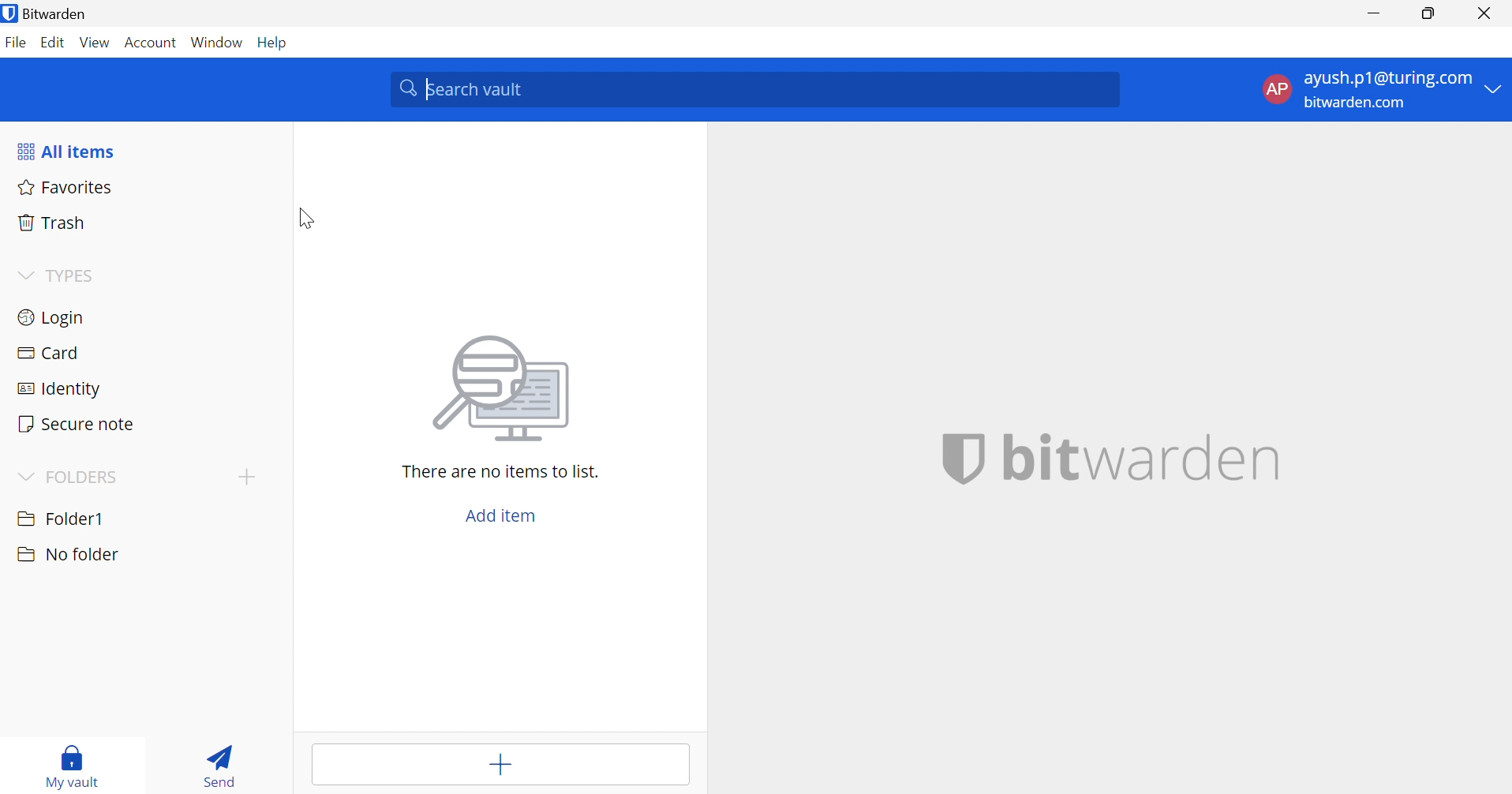 The width and height of the screenshot is (1512, 794). What do you see at coordinates (55, 223) in the screenshot?
I see `Trash` at bounding box center [55, 223].